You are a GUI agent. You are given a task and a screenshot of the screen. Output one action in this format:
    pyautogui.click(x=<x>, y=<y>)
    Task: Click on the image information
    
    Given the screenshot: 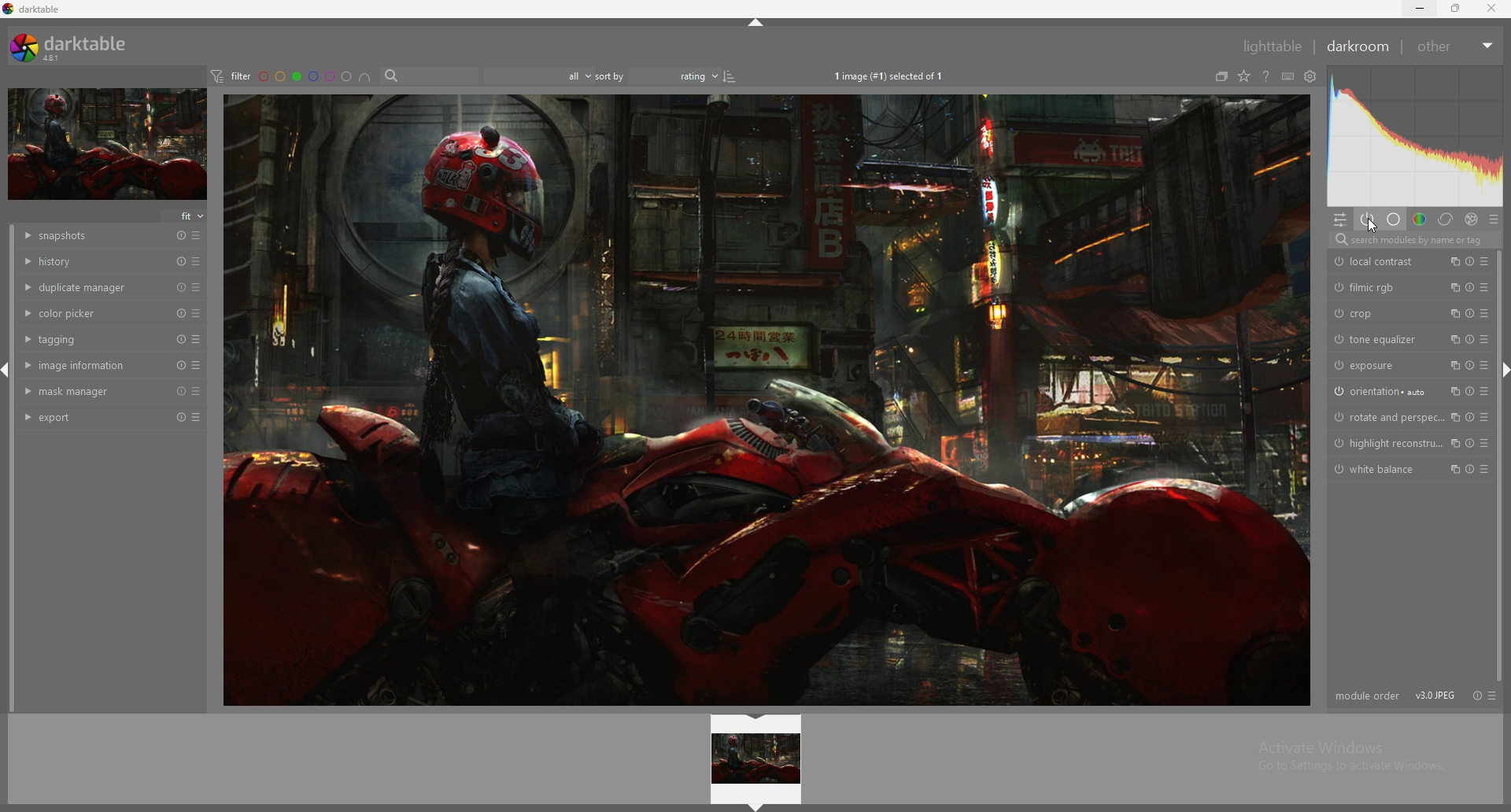 What is the action you would take?
    pyautogui.click(x=94, y=364)
    